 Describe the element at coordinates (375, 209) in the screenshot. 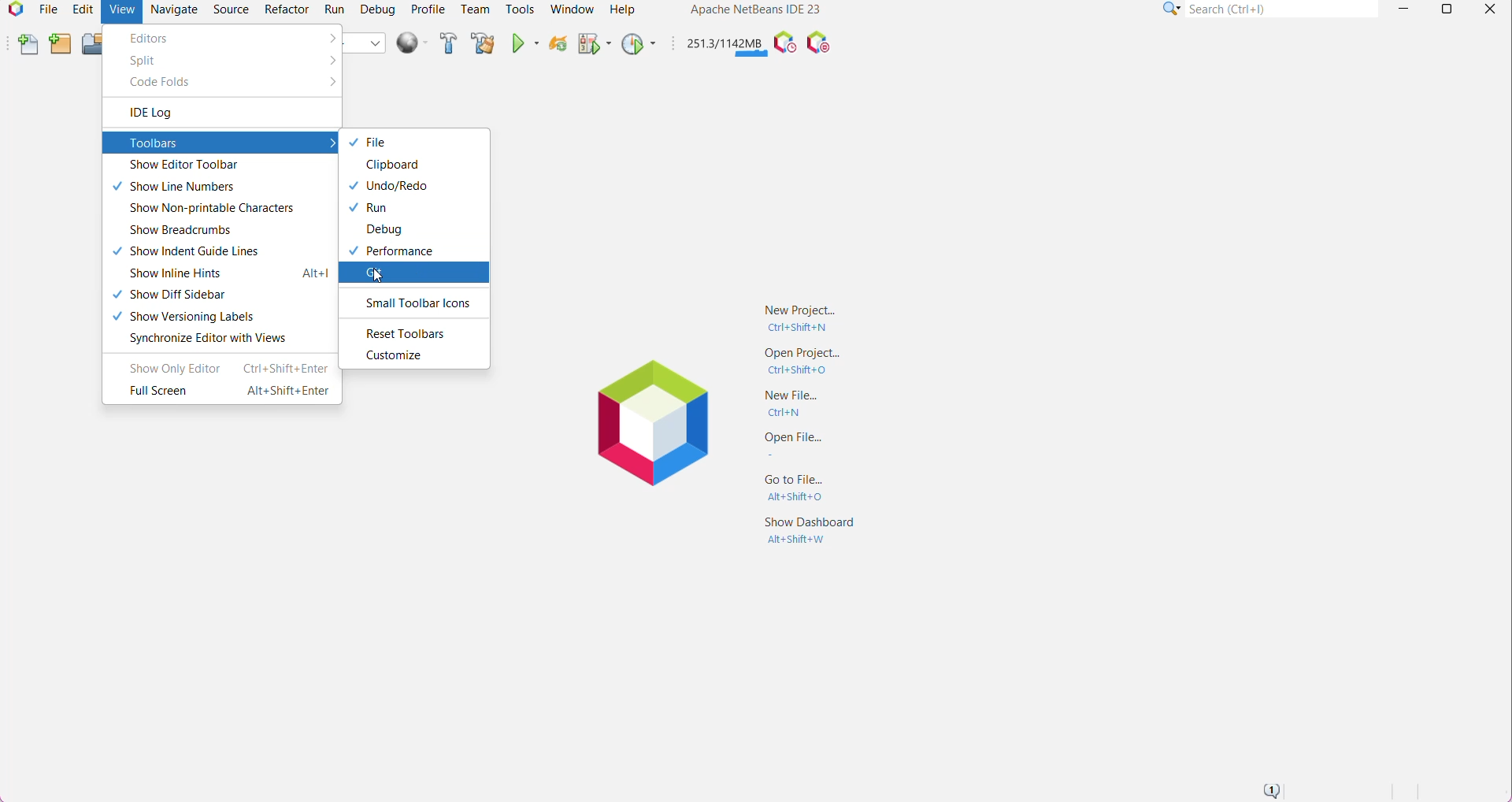

I see `Run` at that location.